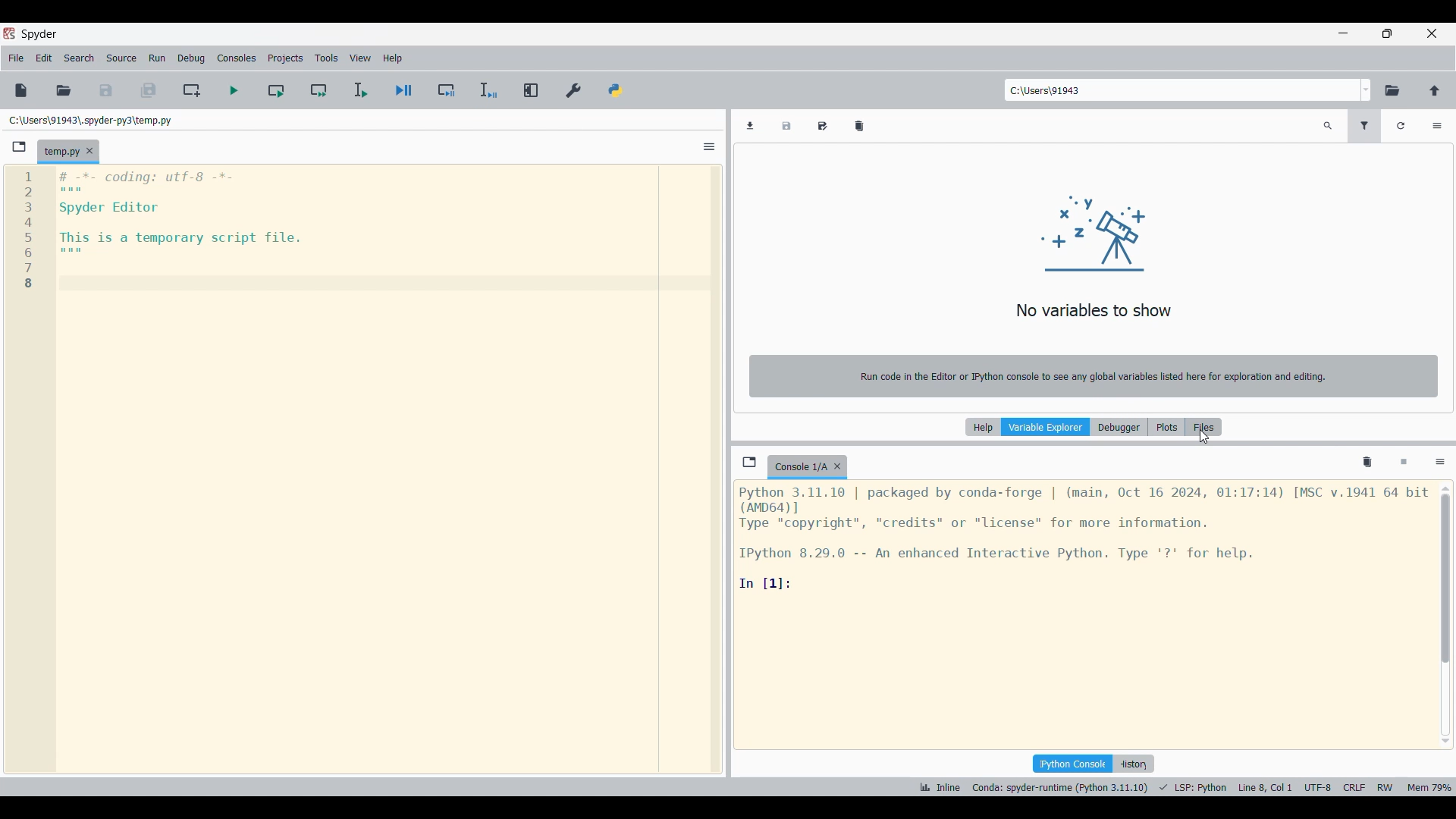 Image resolution: width=1456 pixels, height=819 pixels. I want to click on Preferences, so click(574, 91).